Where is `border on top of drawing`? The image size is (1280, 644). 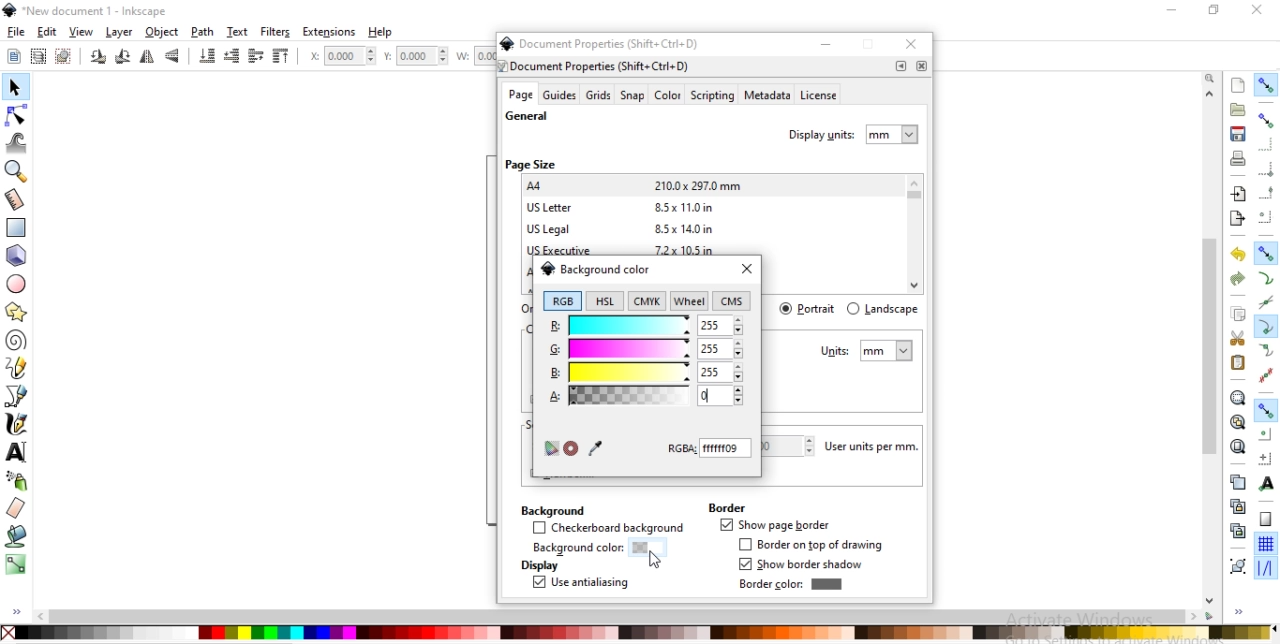
border on top of drawing is located at coordinates (815, 545).